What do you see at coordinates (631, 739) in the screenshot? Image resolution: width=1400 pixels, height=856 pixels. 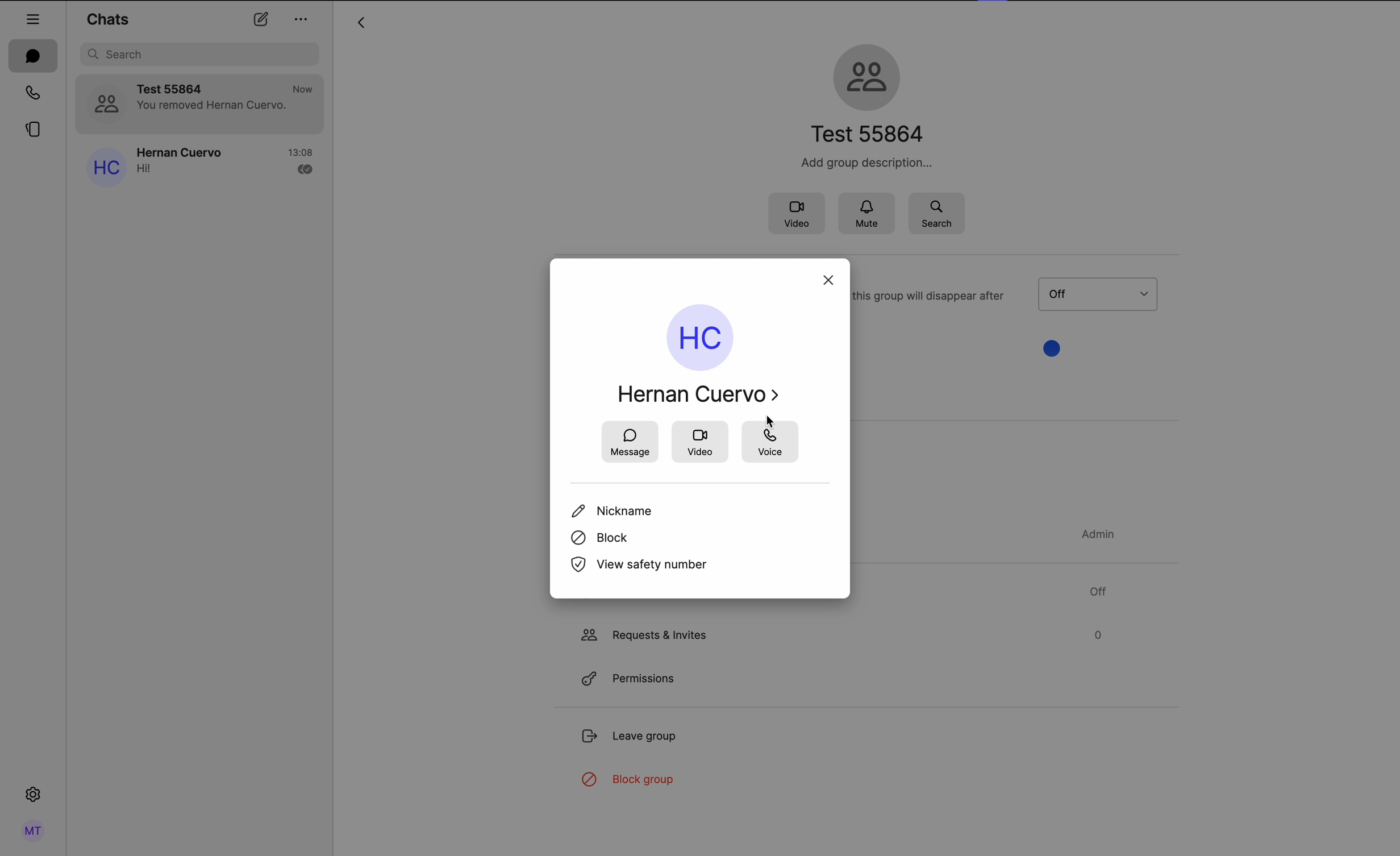 I see `leave group` at bounding box center [631, 739].